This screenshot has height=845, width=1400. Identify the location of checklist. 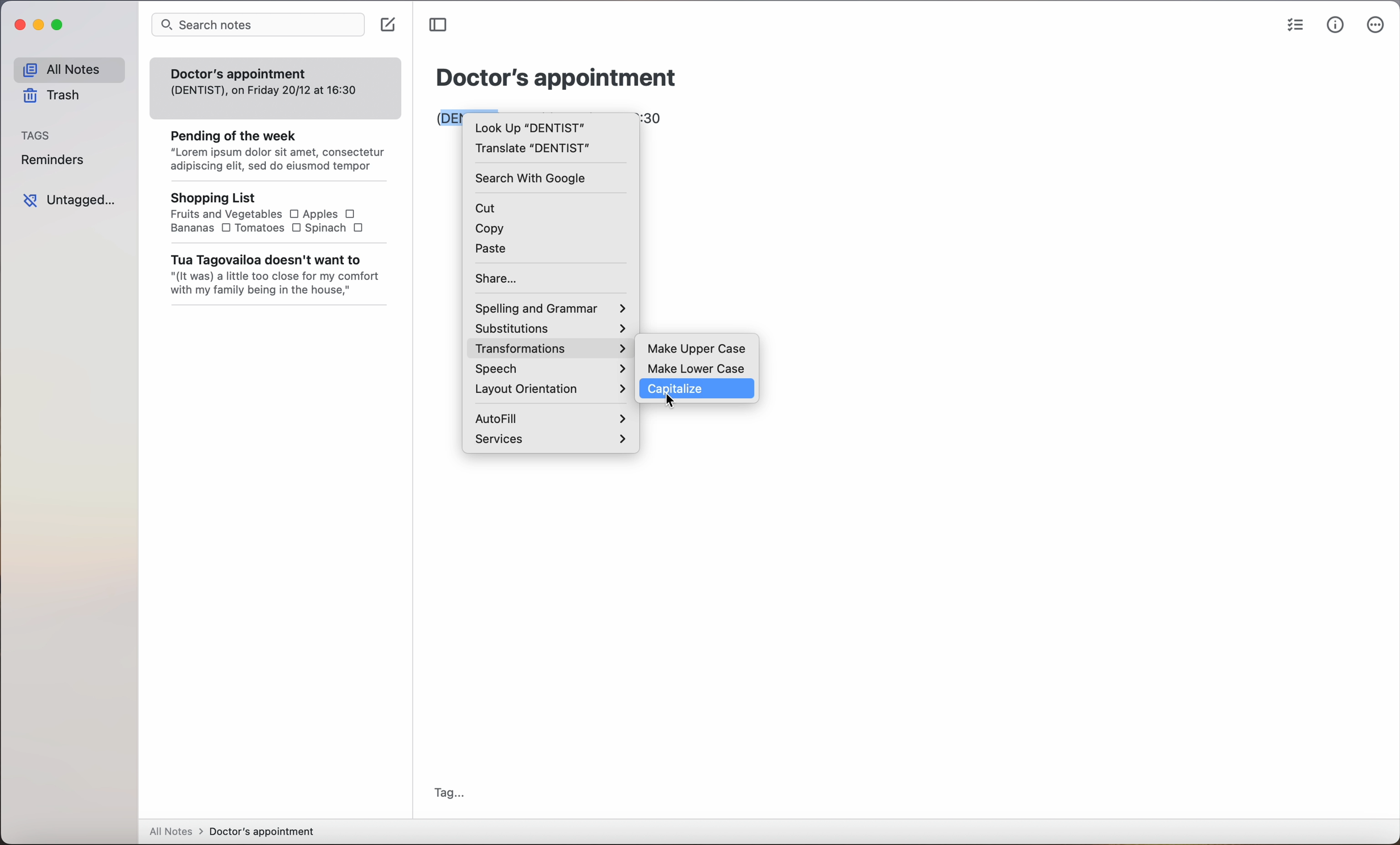
(1297, 23).